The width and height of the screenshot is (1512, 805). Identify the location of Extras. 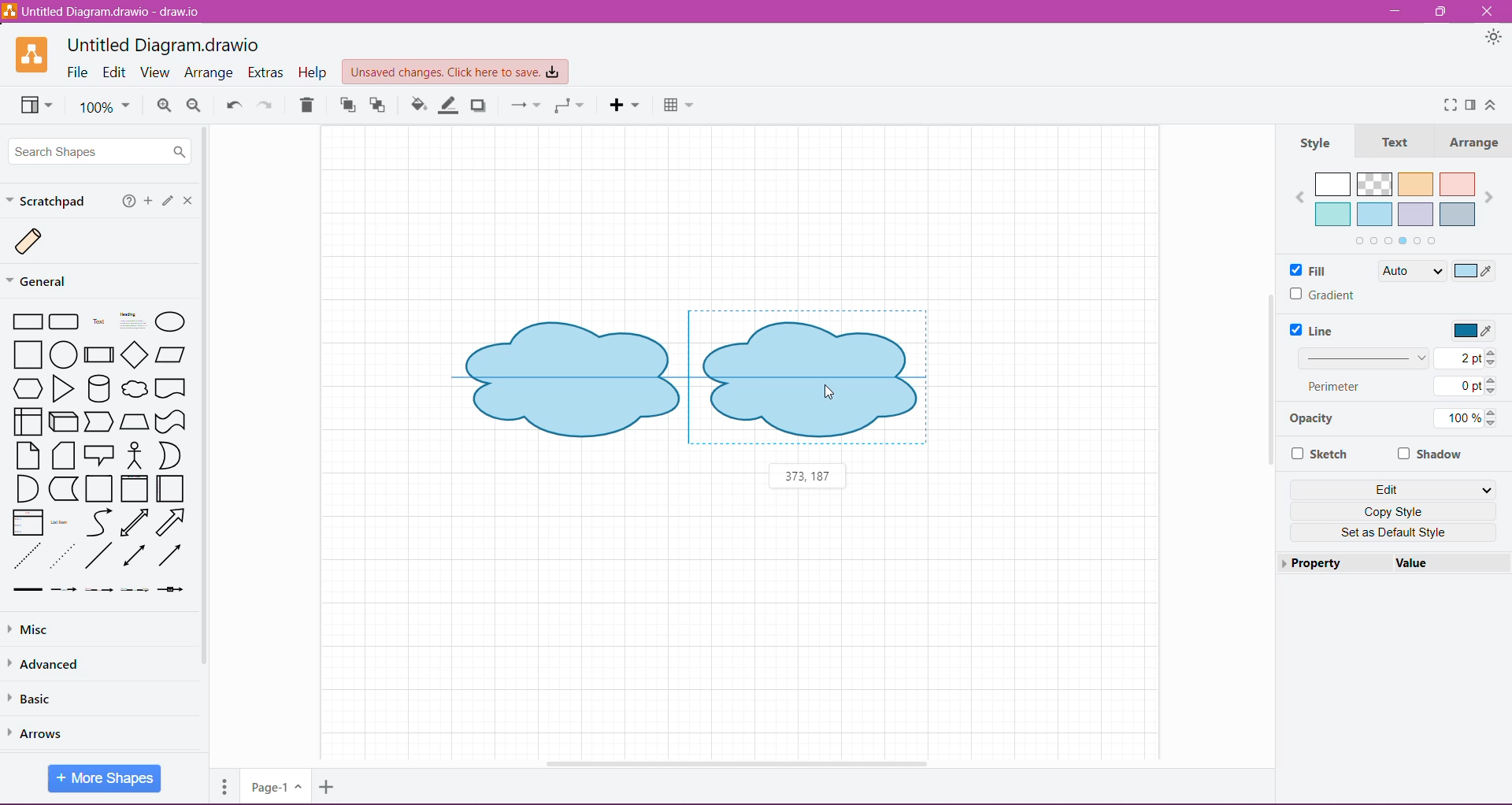
(267, 72).